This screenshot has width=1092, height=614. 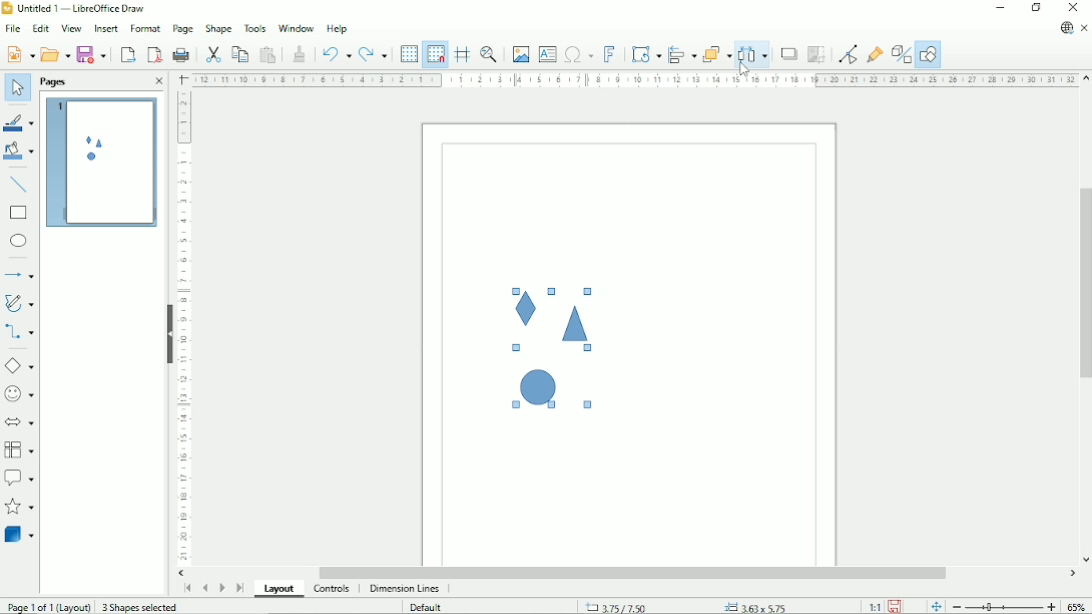 What do you see at coordinates (717, 54) in the screenshot?
I see `Arrange` at bounding box center [717, 54].